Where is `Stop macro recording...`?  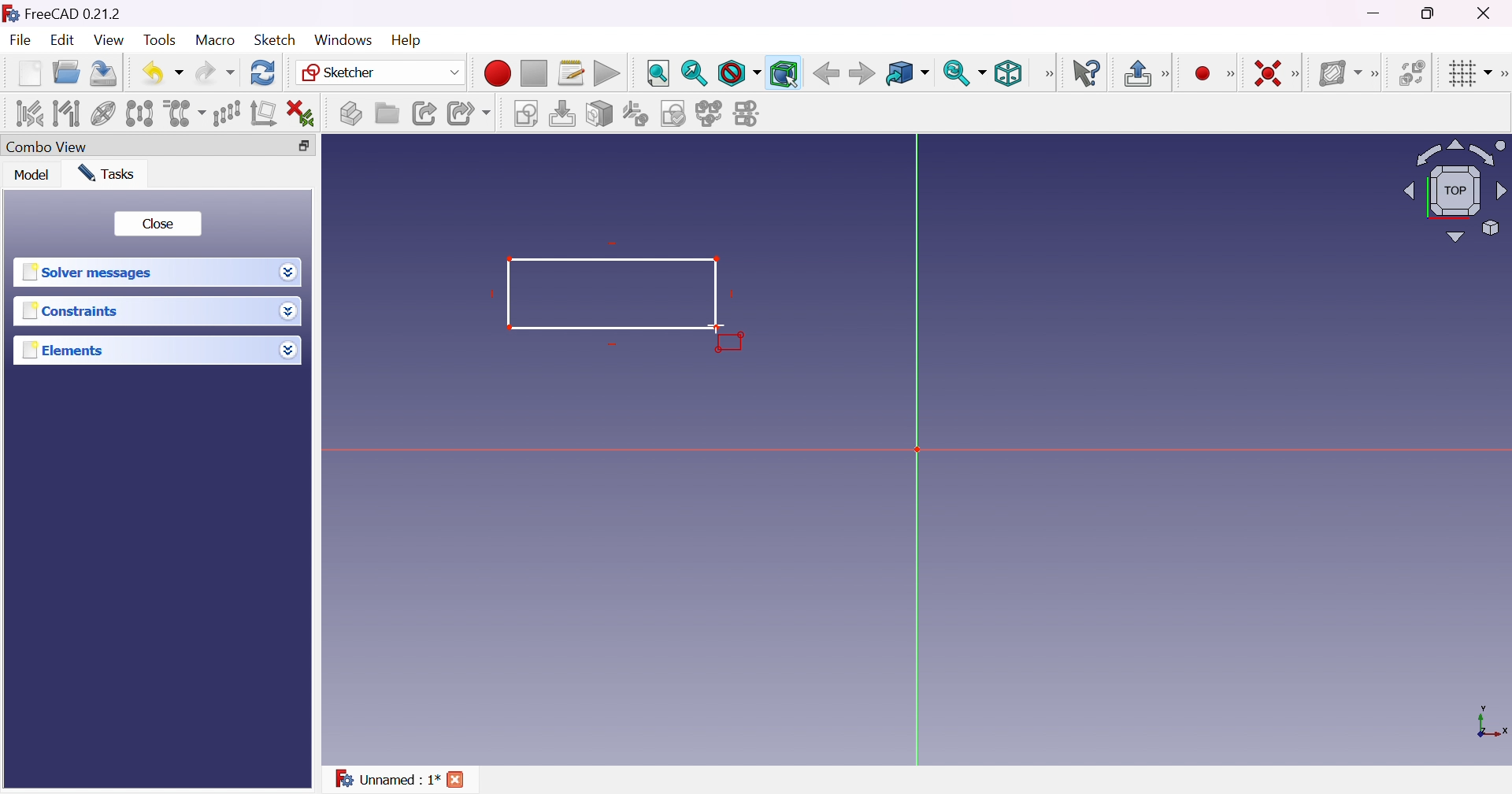
Stop macro recording... is located at coordinates (534, 72).